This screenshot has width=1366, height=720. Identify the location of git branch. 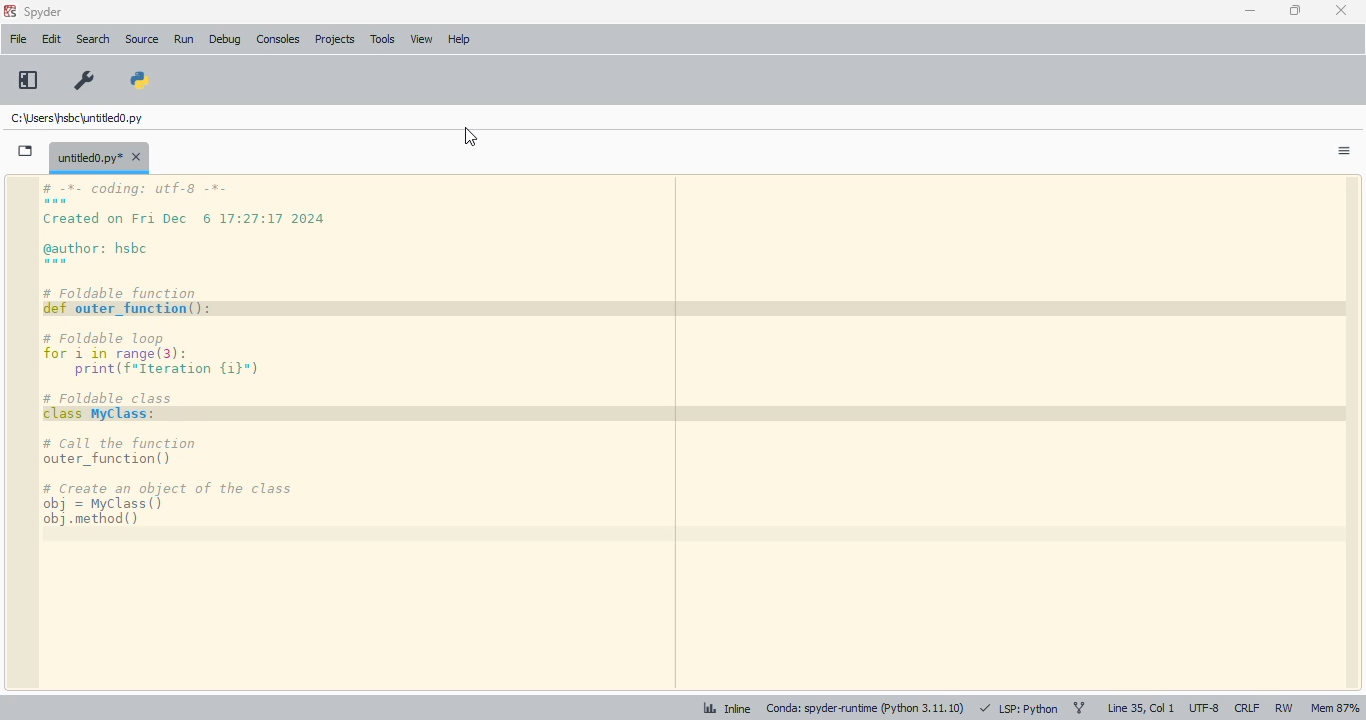
(1079, 709).